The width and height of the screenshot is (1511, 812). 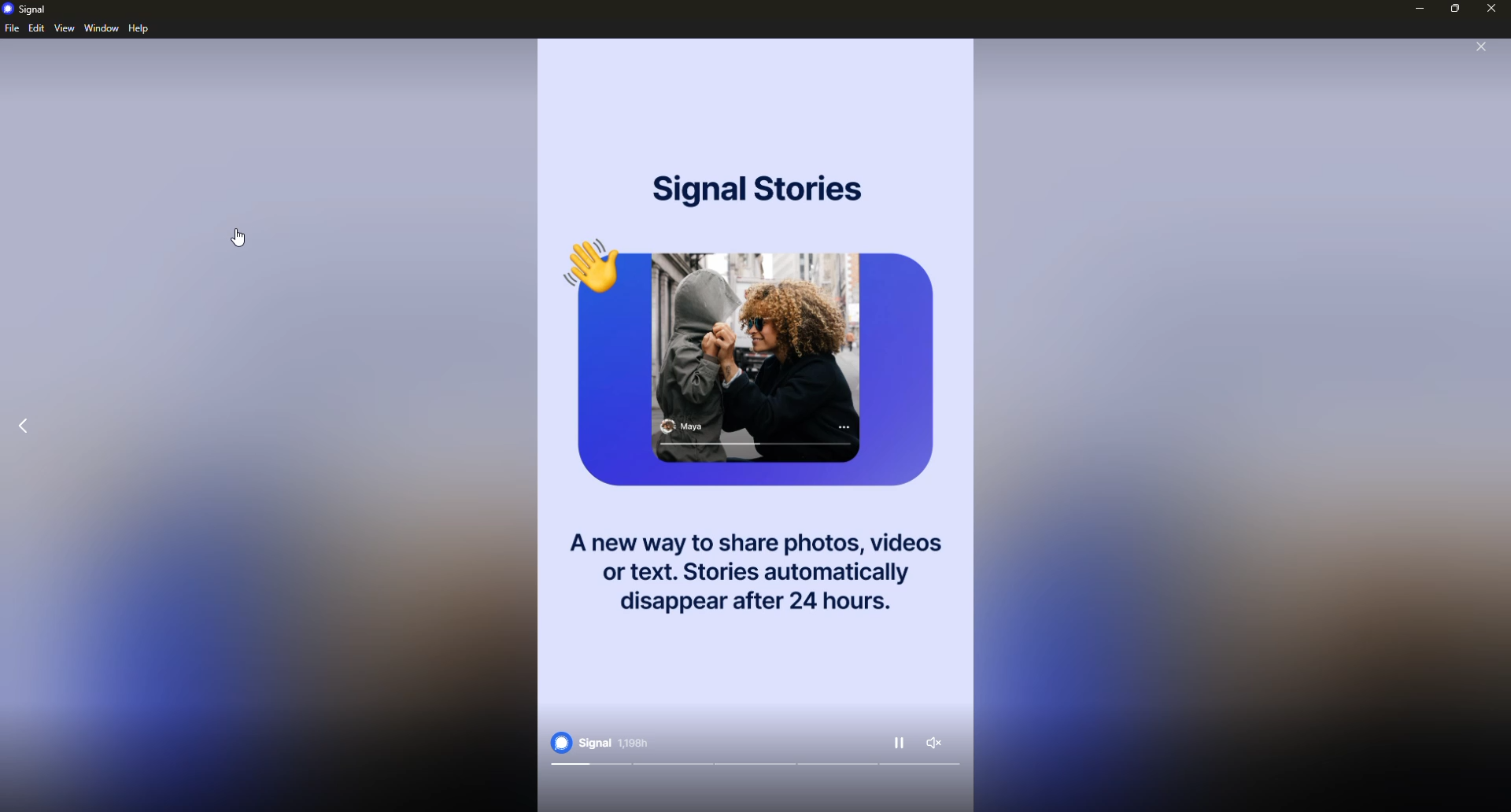 What do you see at coordinates (36, 28) in the screenshot?
I see `edit` at bounding box center [36, 28].